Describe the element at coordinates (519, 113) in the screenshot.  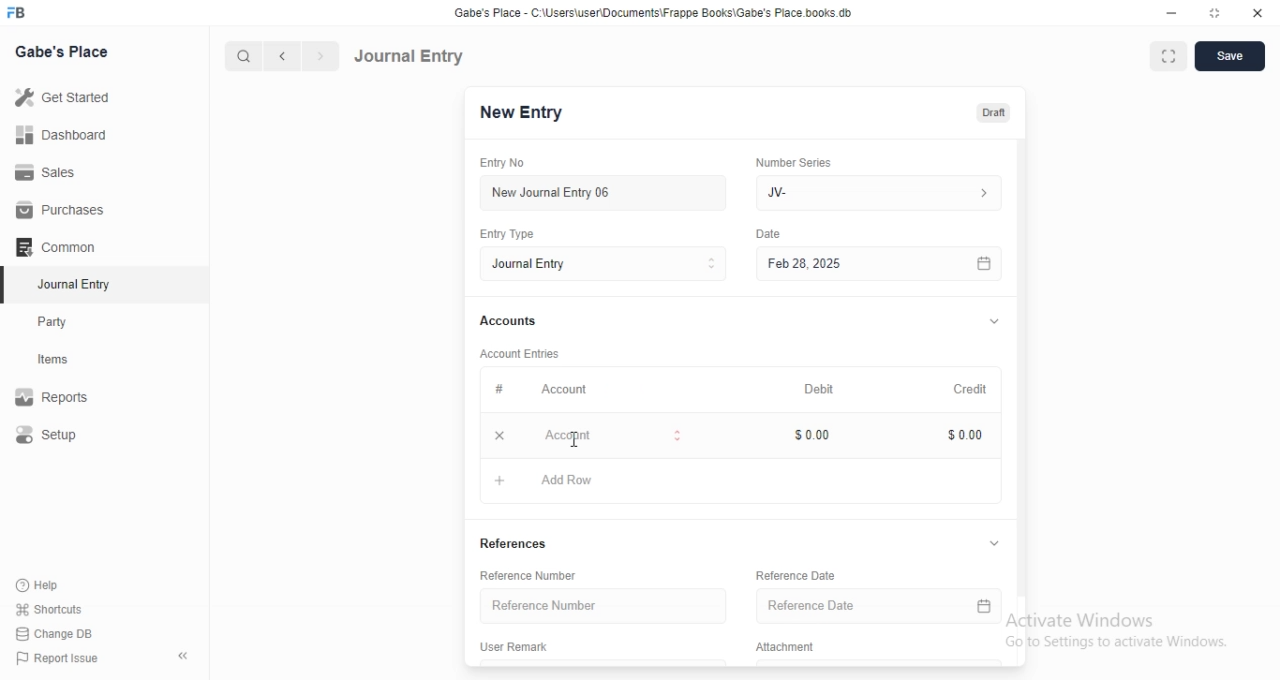
I see `New Entry` at that location.